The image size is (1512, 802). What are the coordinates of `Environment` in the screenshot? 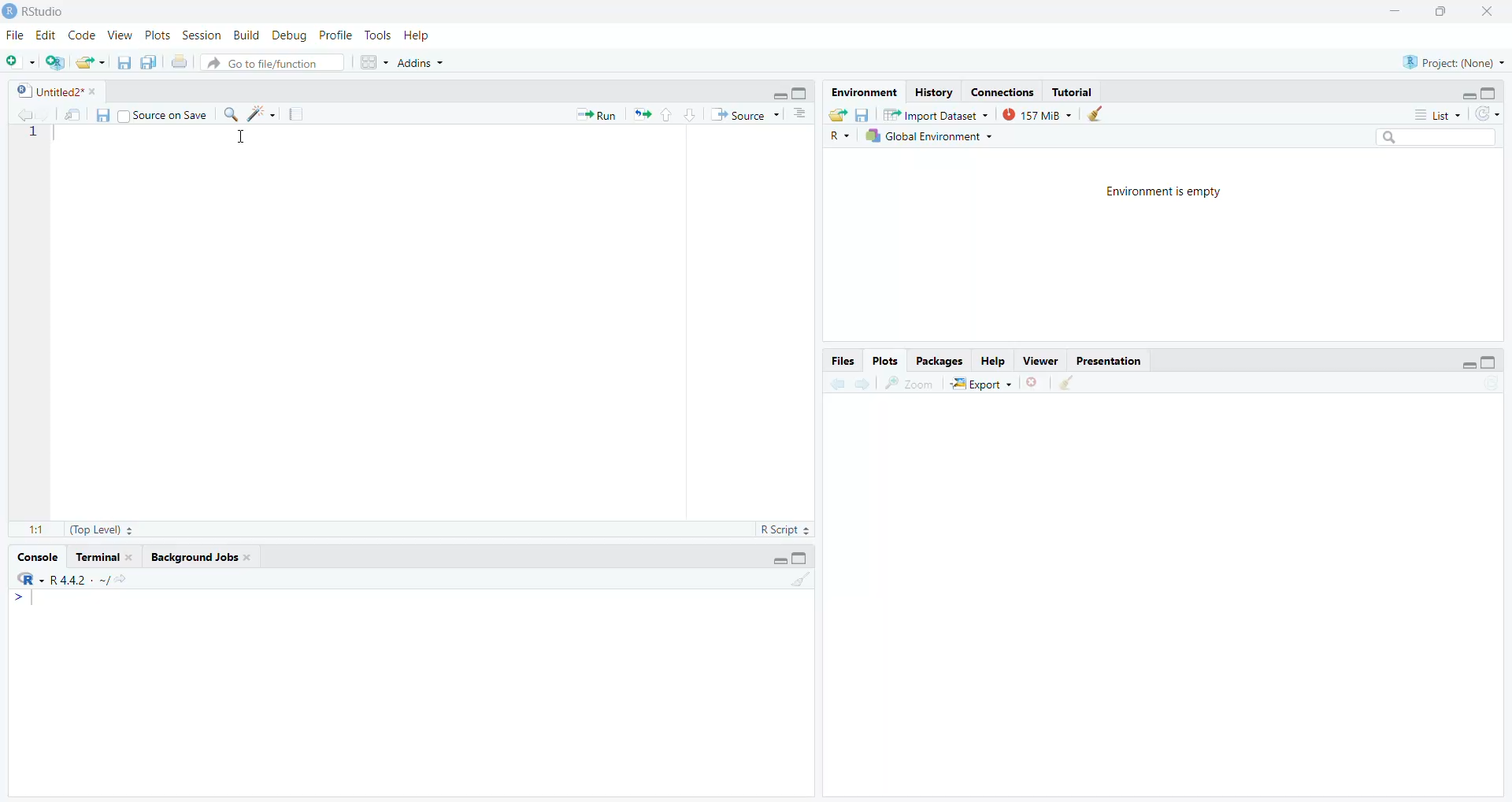 It's located at (864, 91).